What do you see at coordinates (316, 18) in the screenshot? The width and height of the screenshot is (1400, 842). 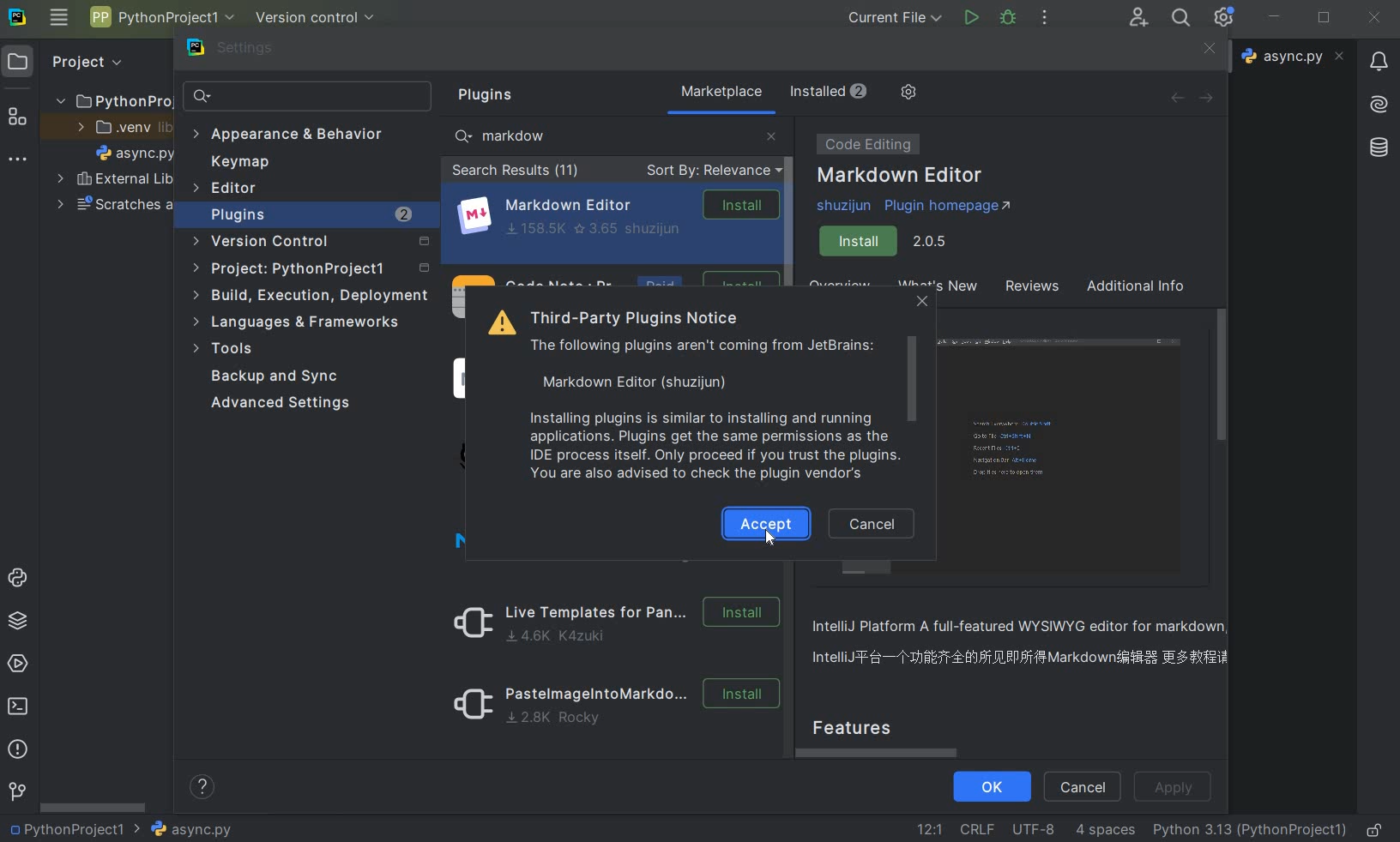 I see `version control` at bounding box center [316, 18].